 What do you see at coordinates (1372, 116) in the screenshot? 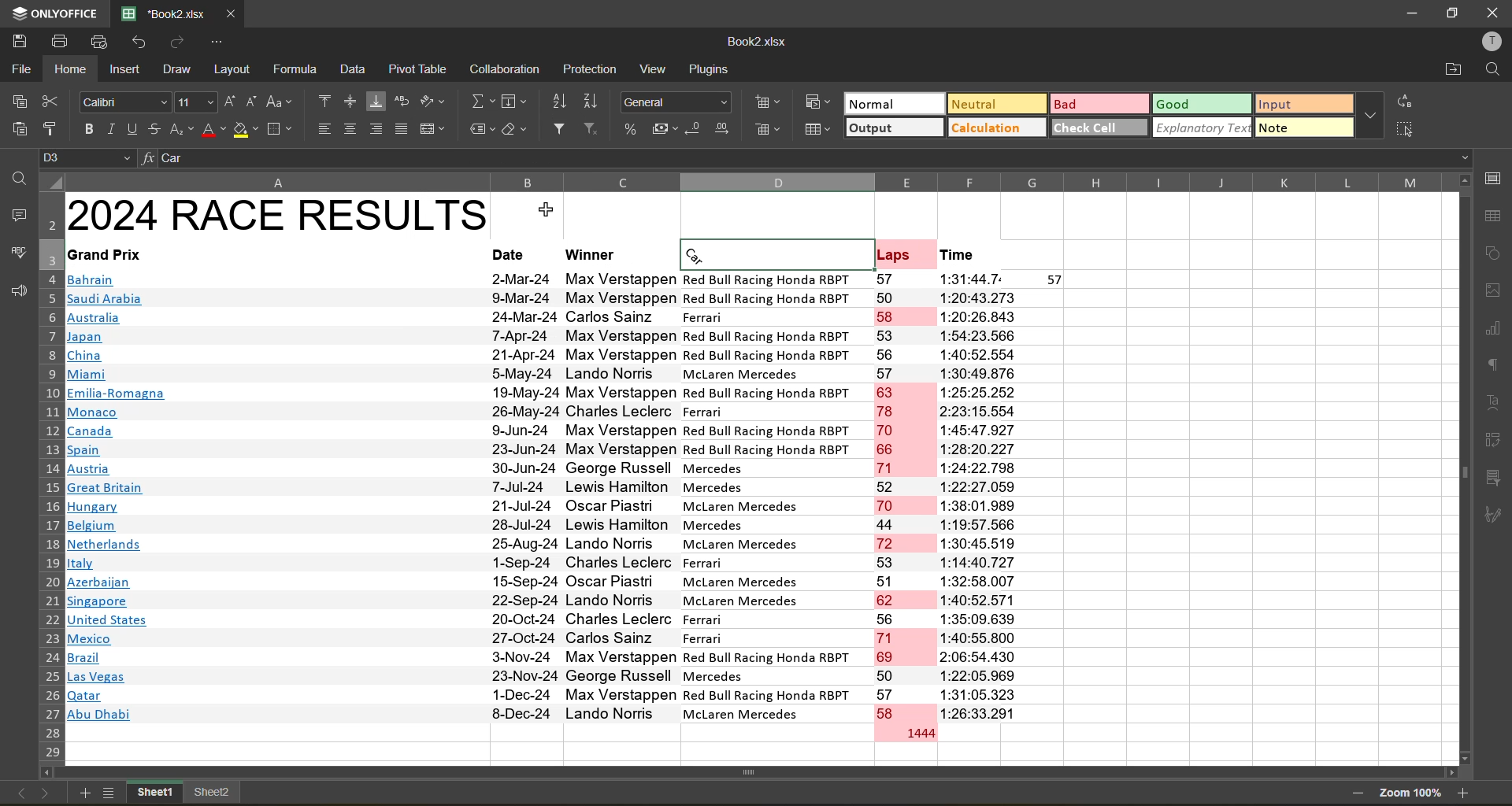
I see `more options` at bounding box center [1372, 116].